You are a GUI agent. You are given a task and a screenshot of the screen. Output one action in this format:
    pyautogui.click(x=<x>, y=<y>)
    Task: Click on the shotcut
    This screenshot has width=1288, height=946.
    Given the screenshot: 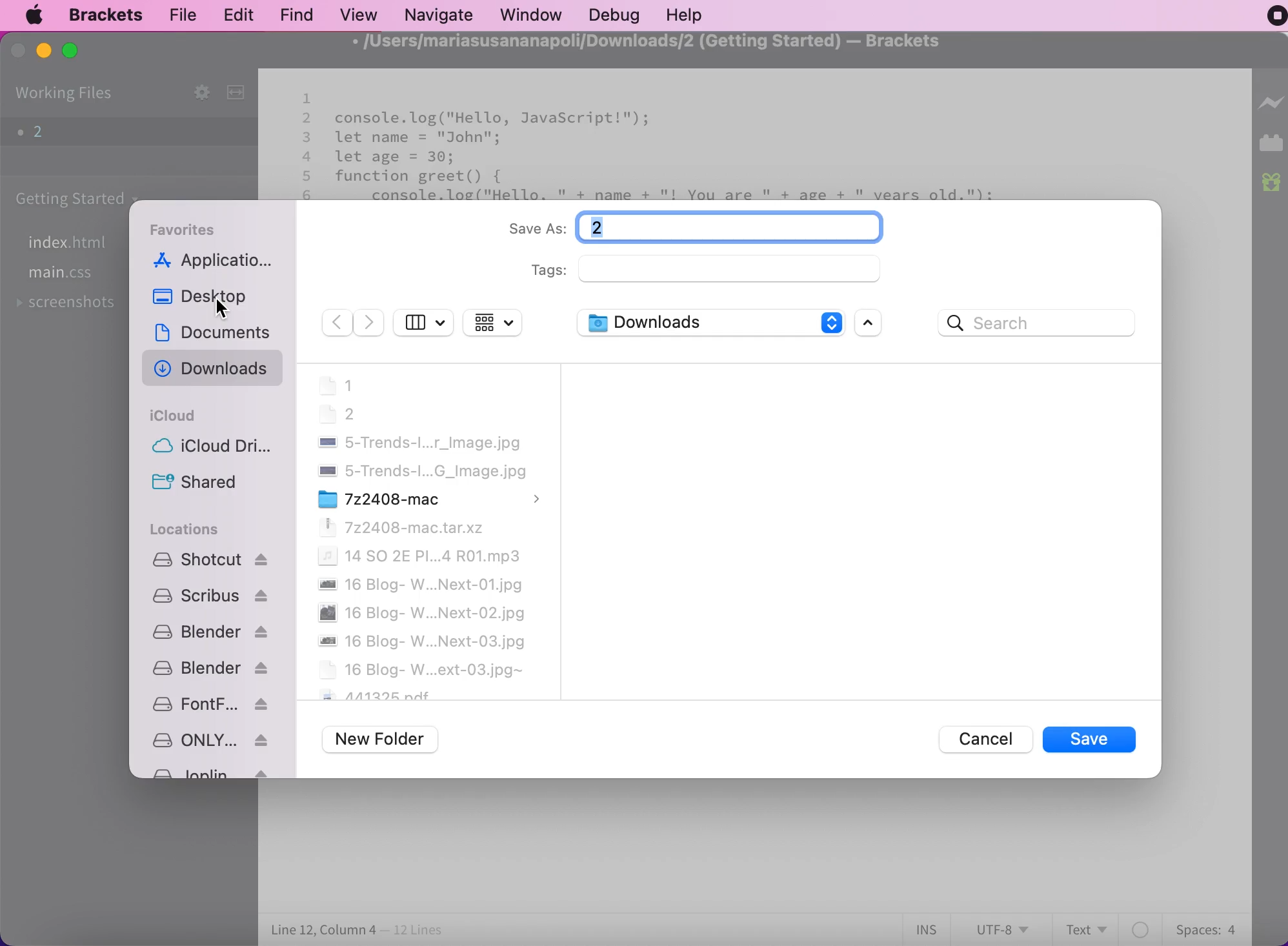 What is the action you would take?
    pyautogui.click(x=211, y=559)
    